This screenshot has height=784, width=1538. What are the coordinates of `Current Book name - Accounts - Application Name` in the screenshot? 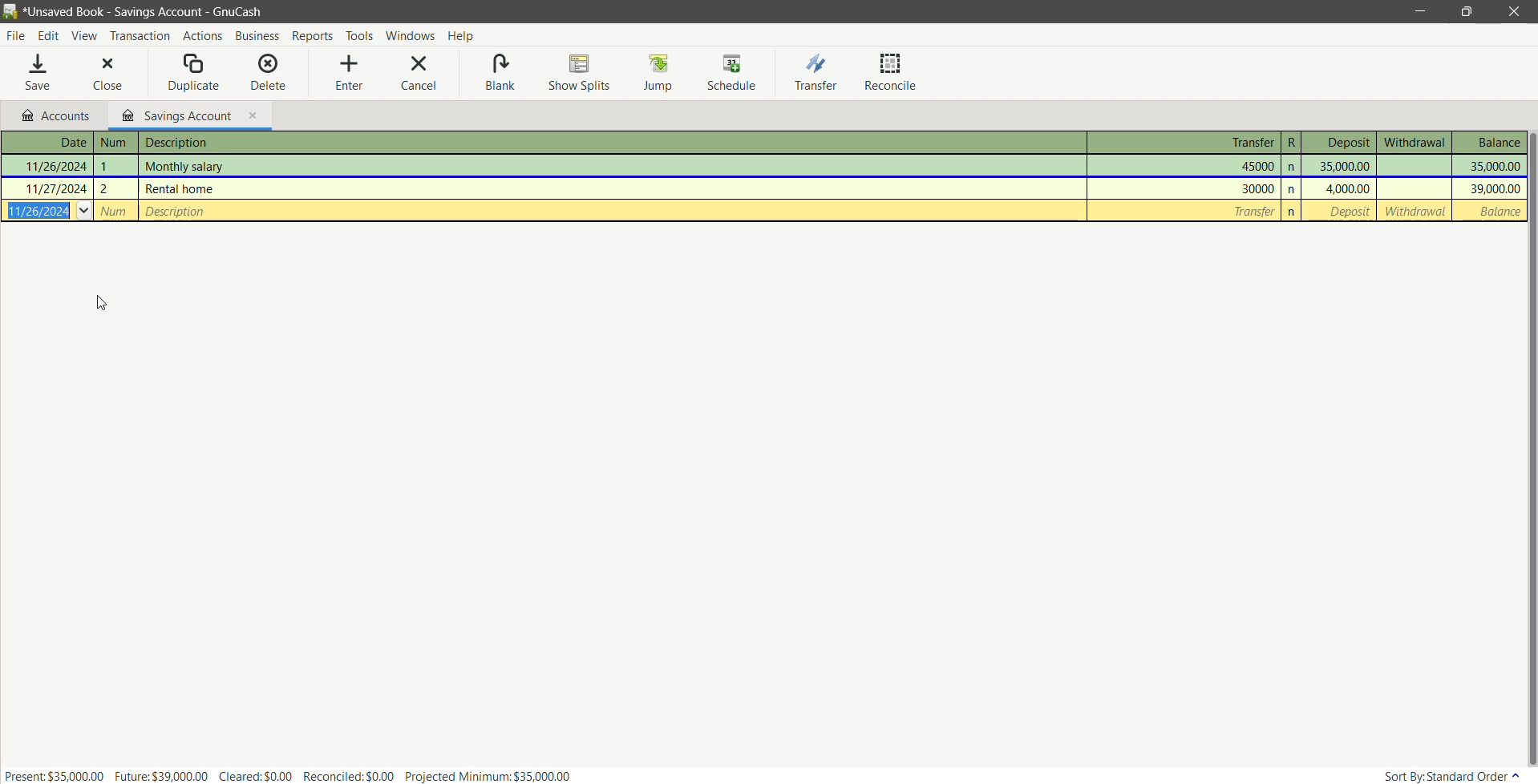 It's located at (152, 11).